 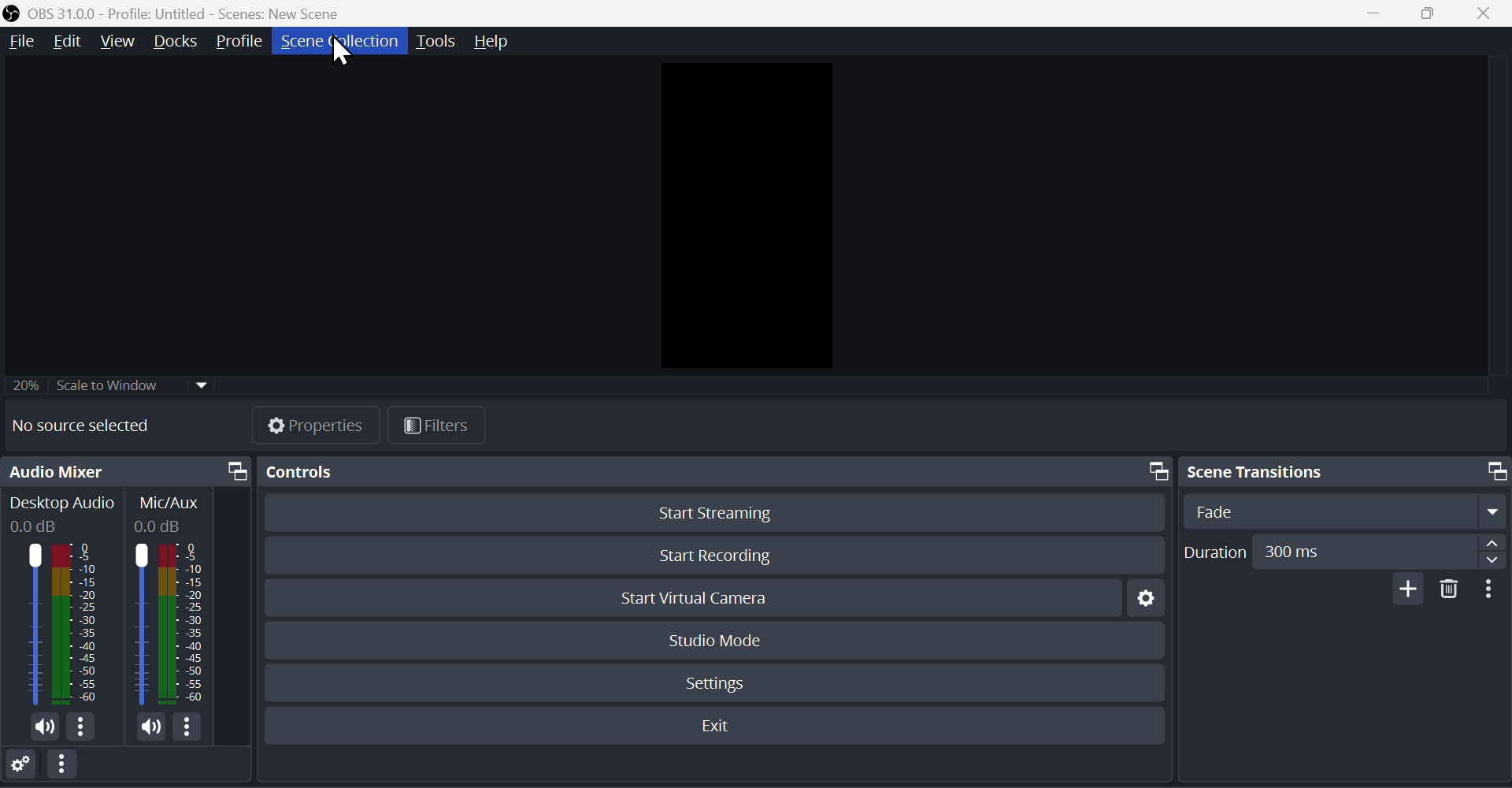 I want to click on volume, so click(x=41, y=729).